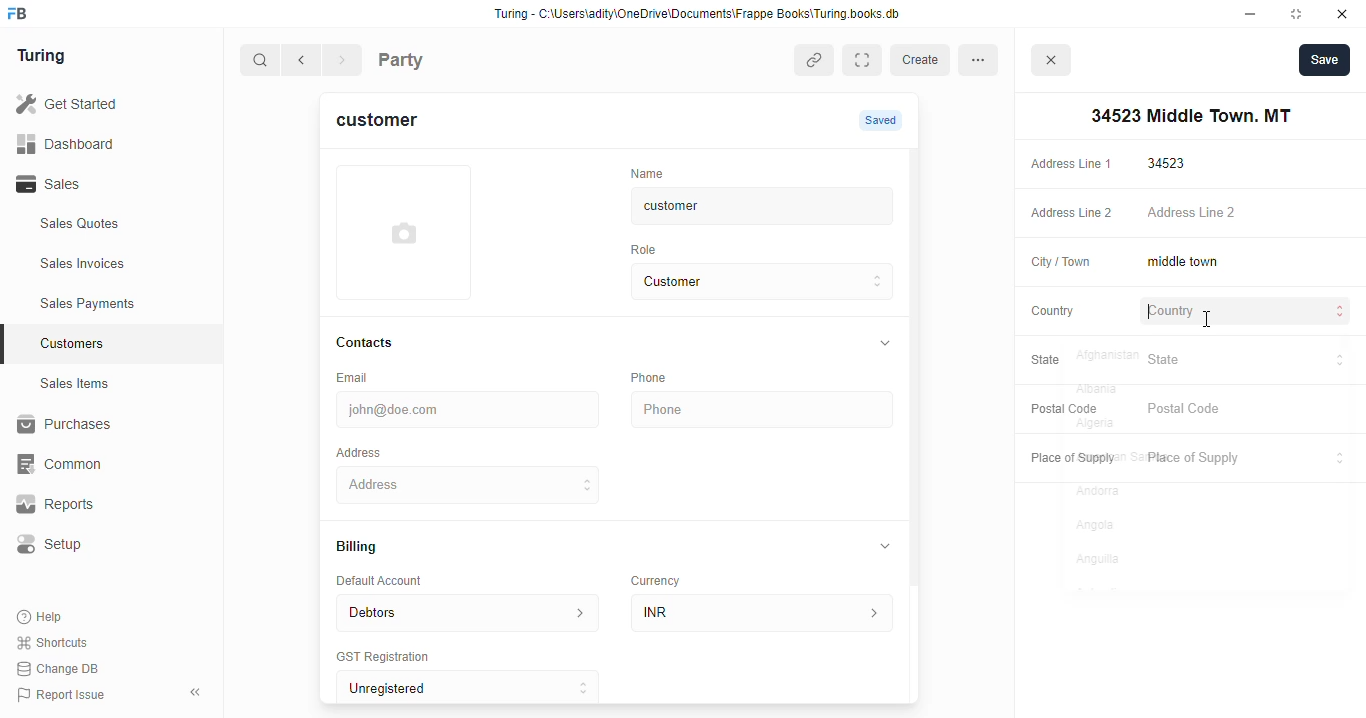 The height and width of the screenshot is (718, 1366). I want to click on collapse, so click(886, 545).